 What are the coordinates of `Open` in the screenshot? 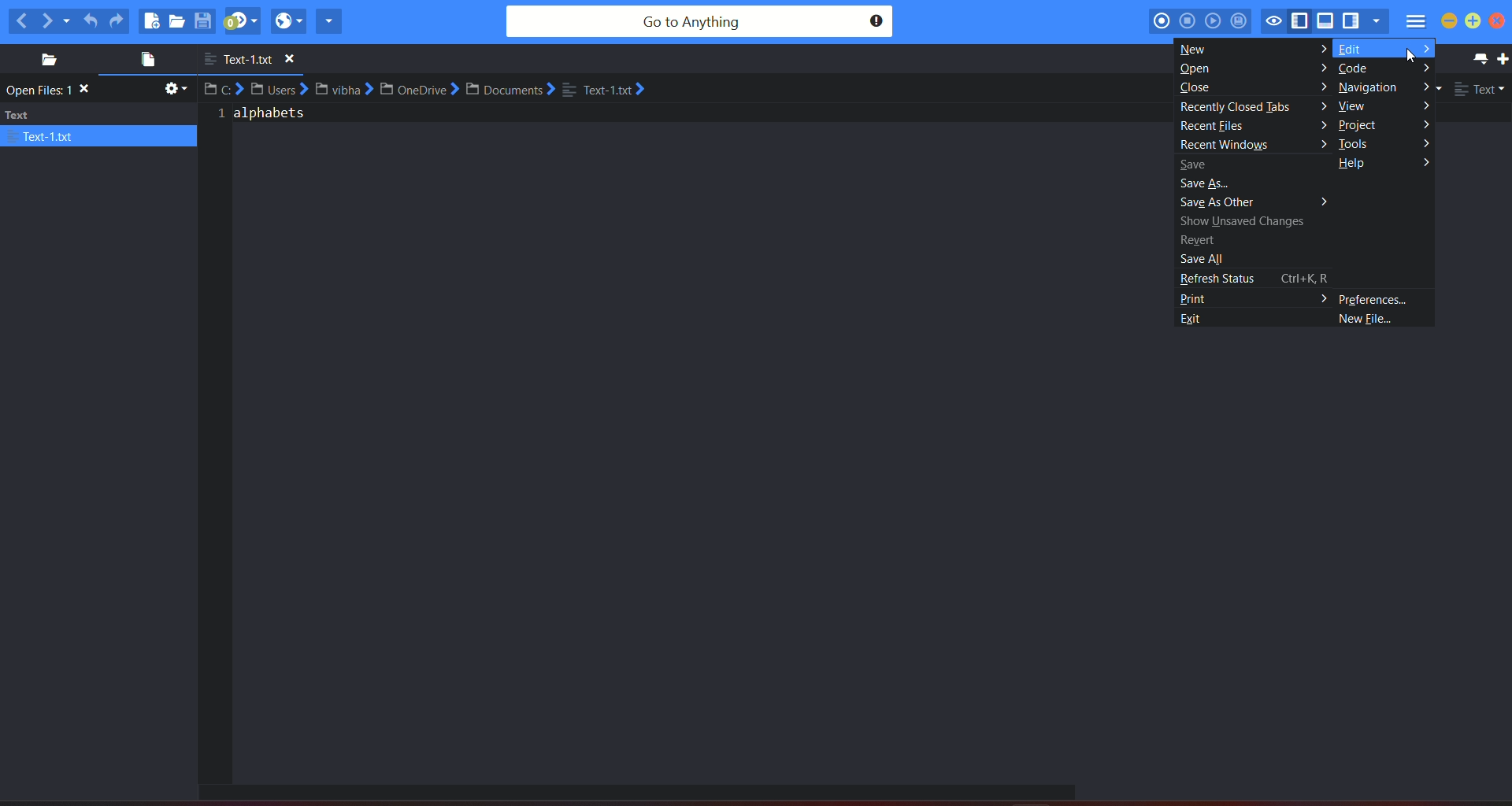 It's located at (1201, 68).